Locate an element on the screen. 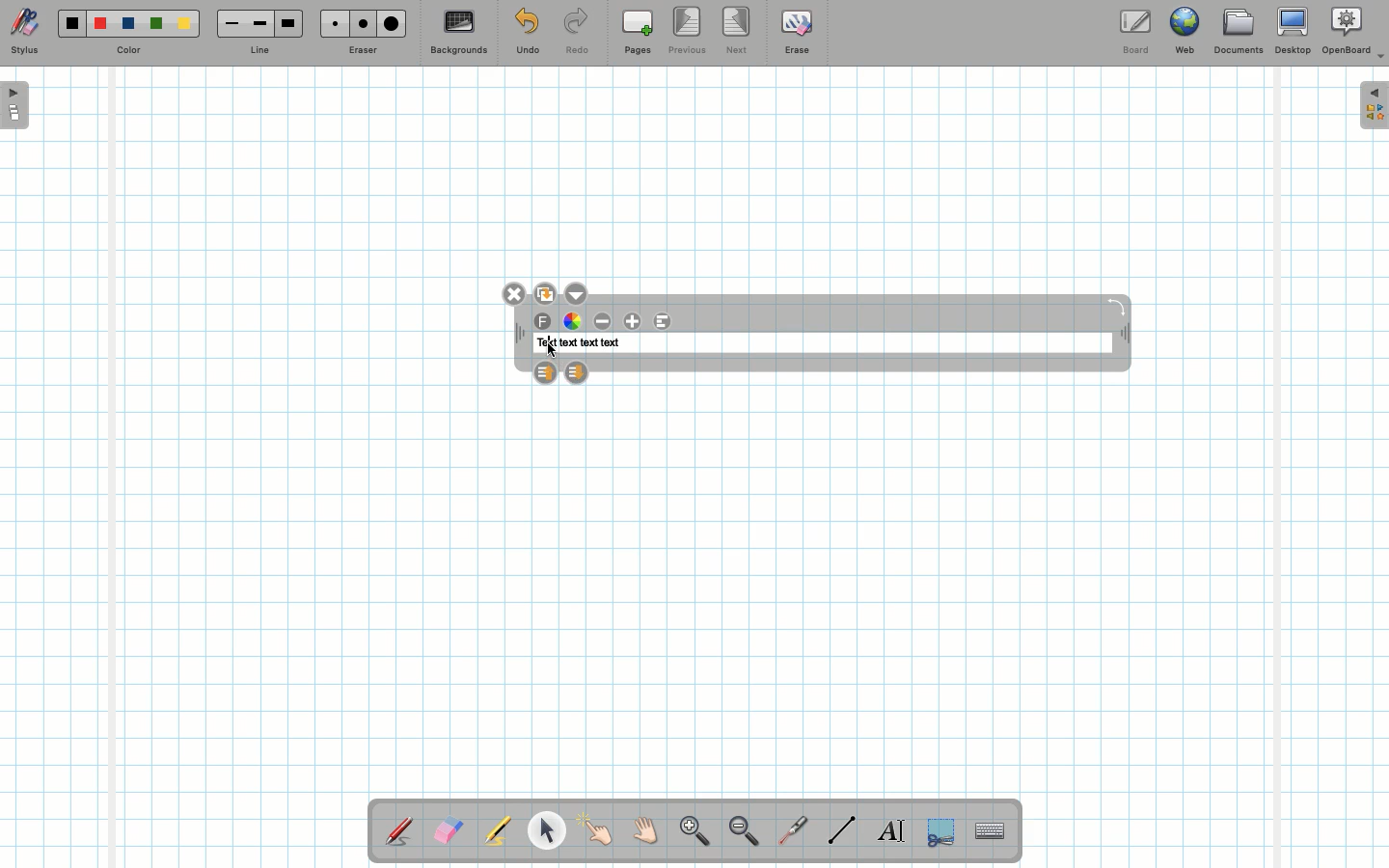 This screenshot has height=868, width=1389. Open pages is located at coordinates (16, 104).